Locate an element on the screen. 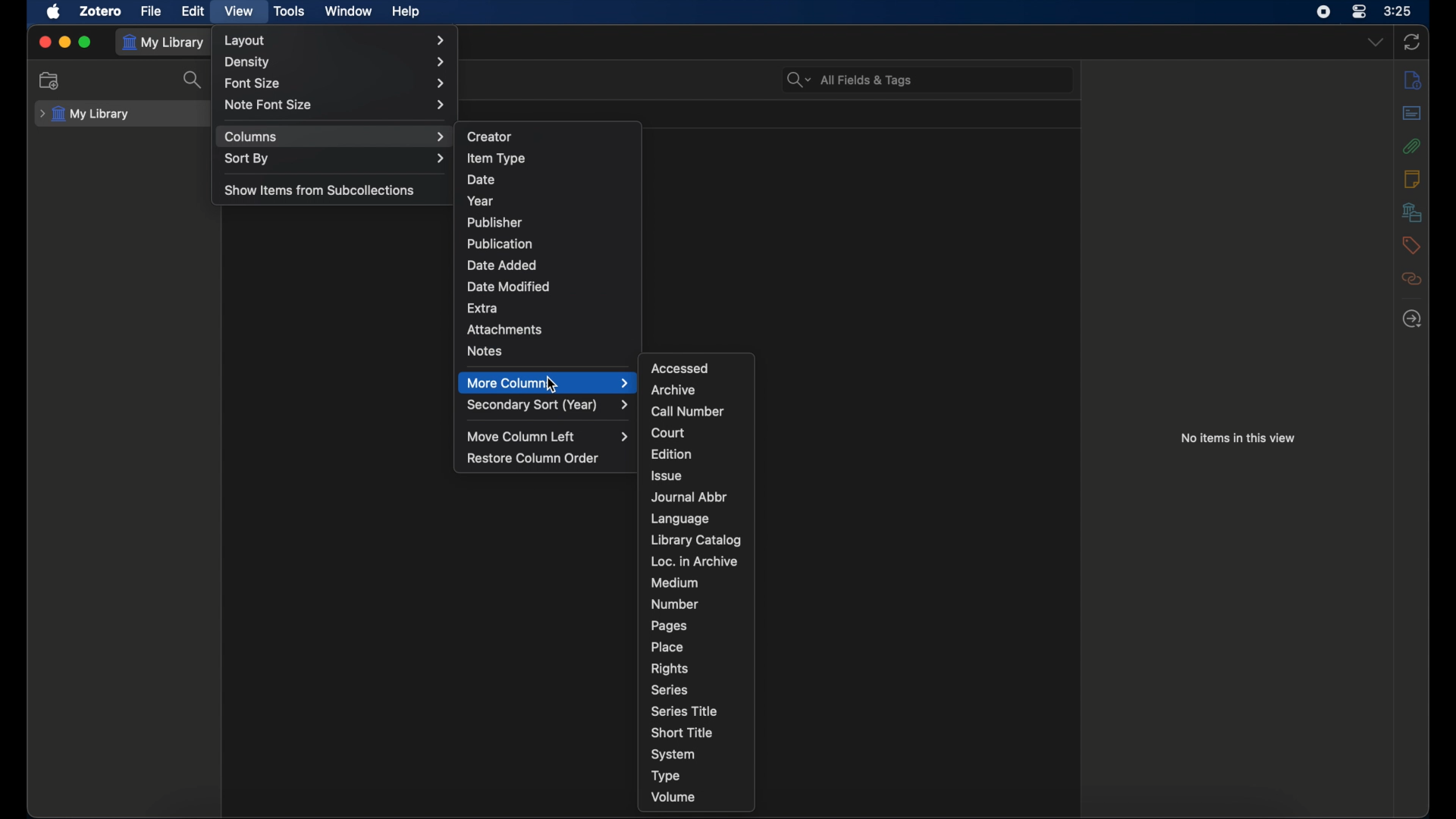  notes is located at coordinates (486, 352).